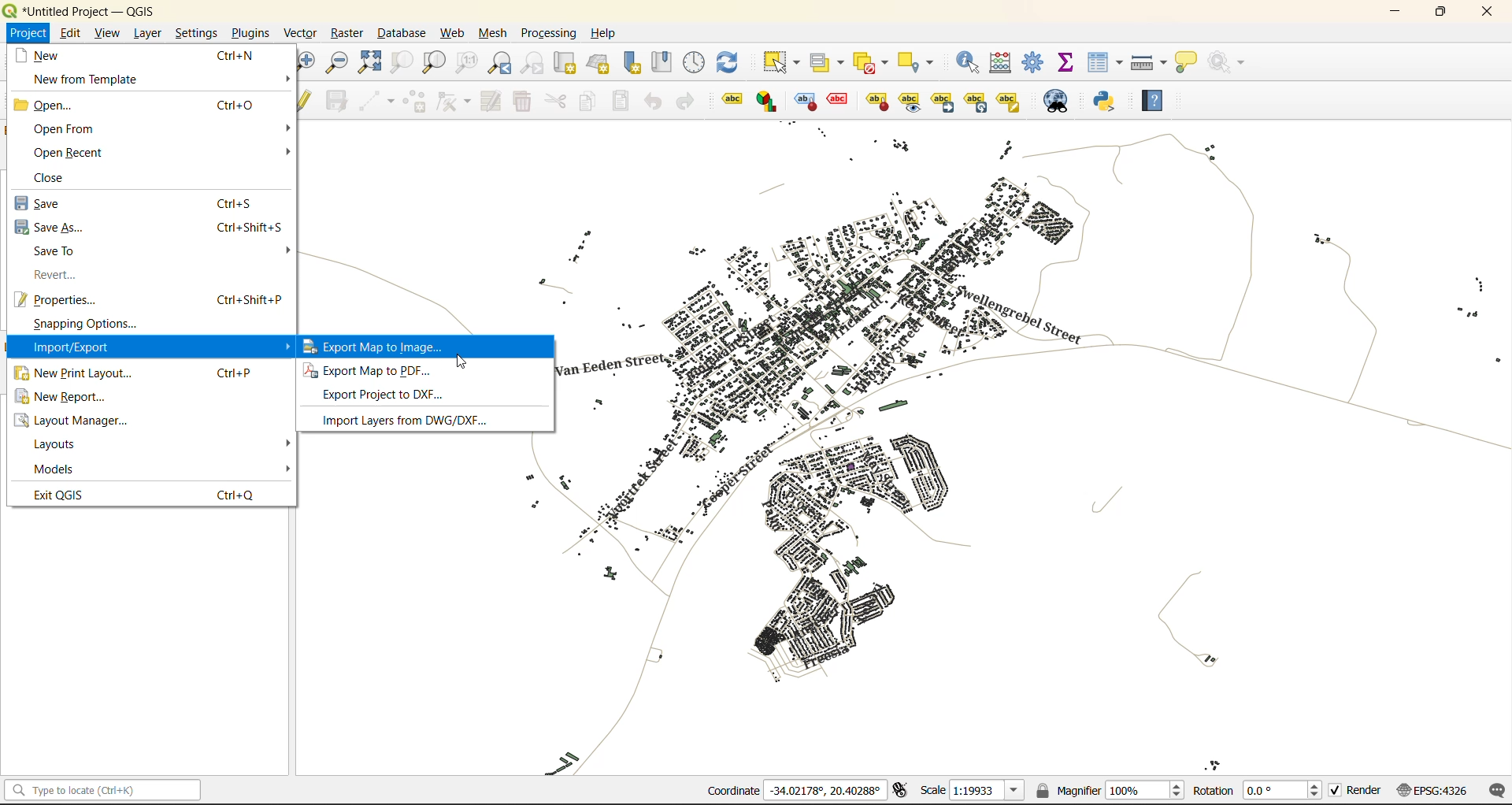 This screenshot has width=1512, height=805. What do you see at coordinates (299, 32) in the screenshot?
I see `vector` at bounding box center [299, 32].